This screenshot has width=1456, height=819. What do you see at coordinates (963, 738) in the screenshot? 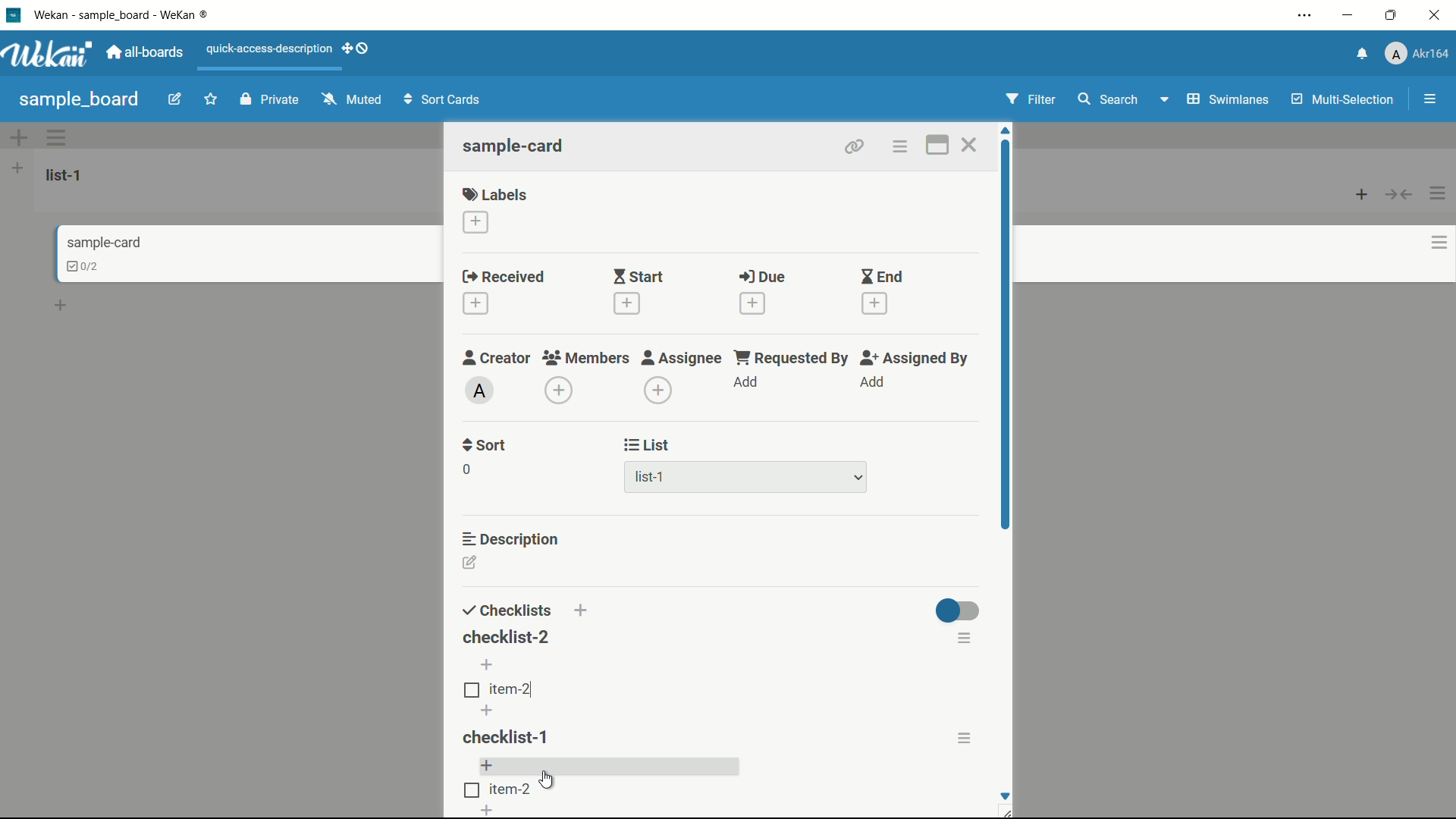
I see `copy to clipboard` at bounding box center [963, 738].